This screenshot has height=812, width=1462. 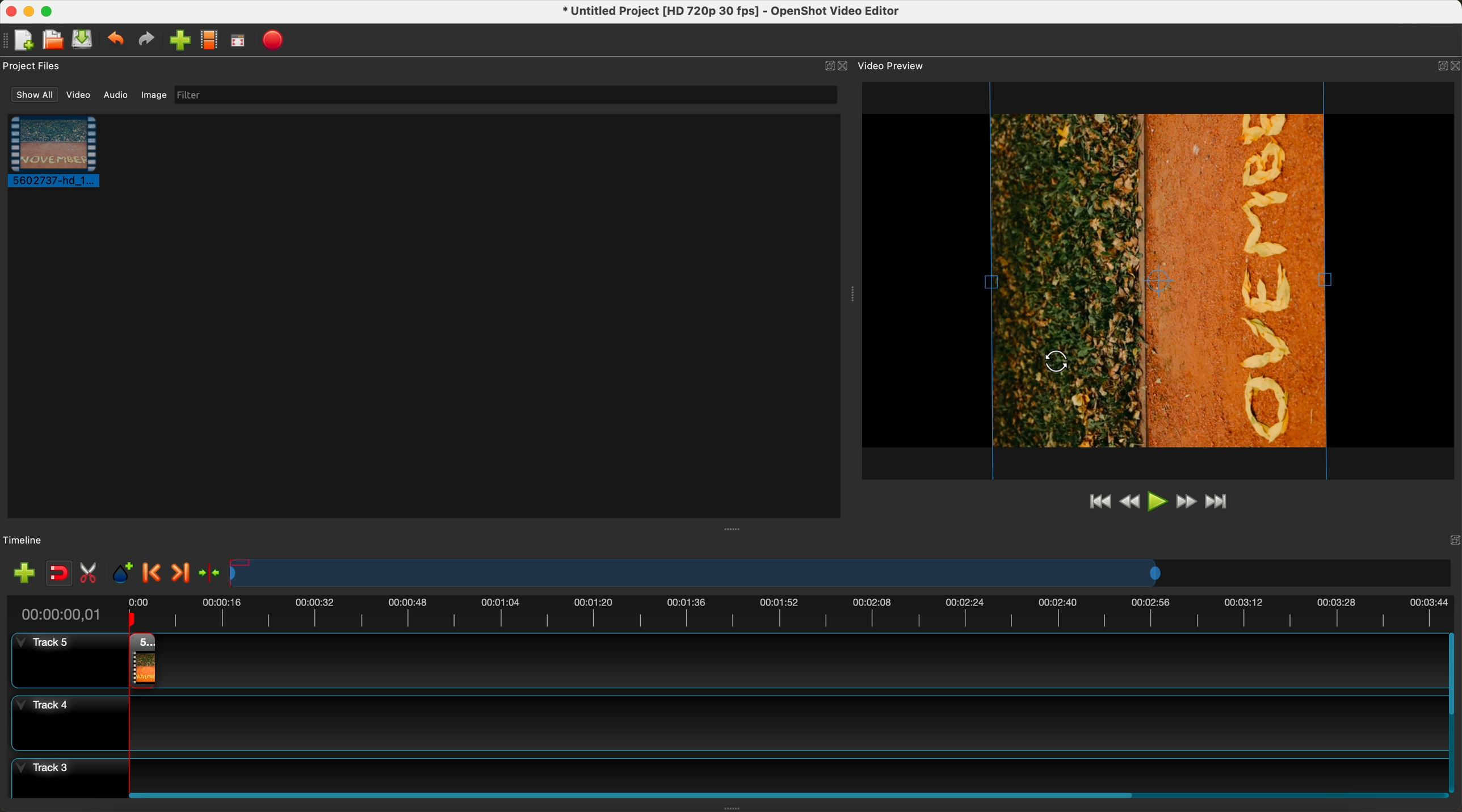 What do you see at coordinates (24, 541) in the screenshot?
I see `timeline` at bounding box center [24, 541].